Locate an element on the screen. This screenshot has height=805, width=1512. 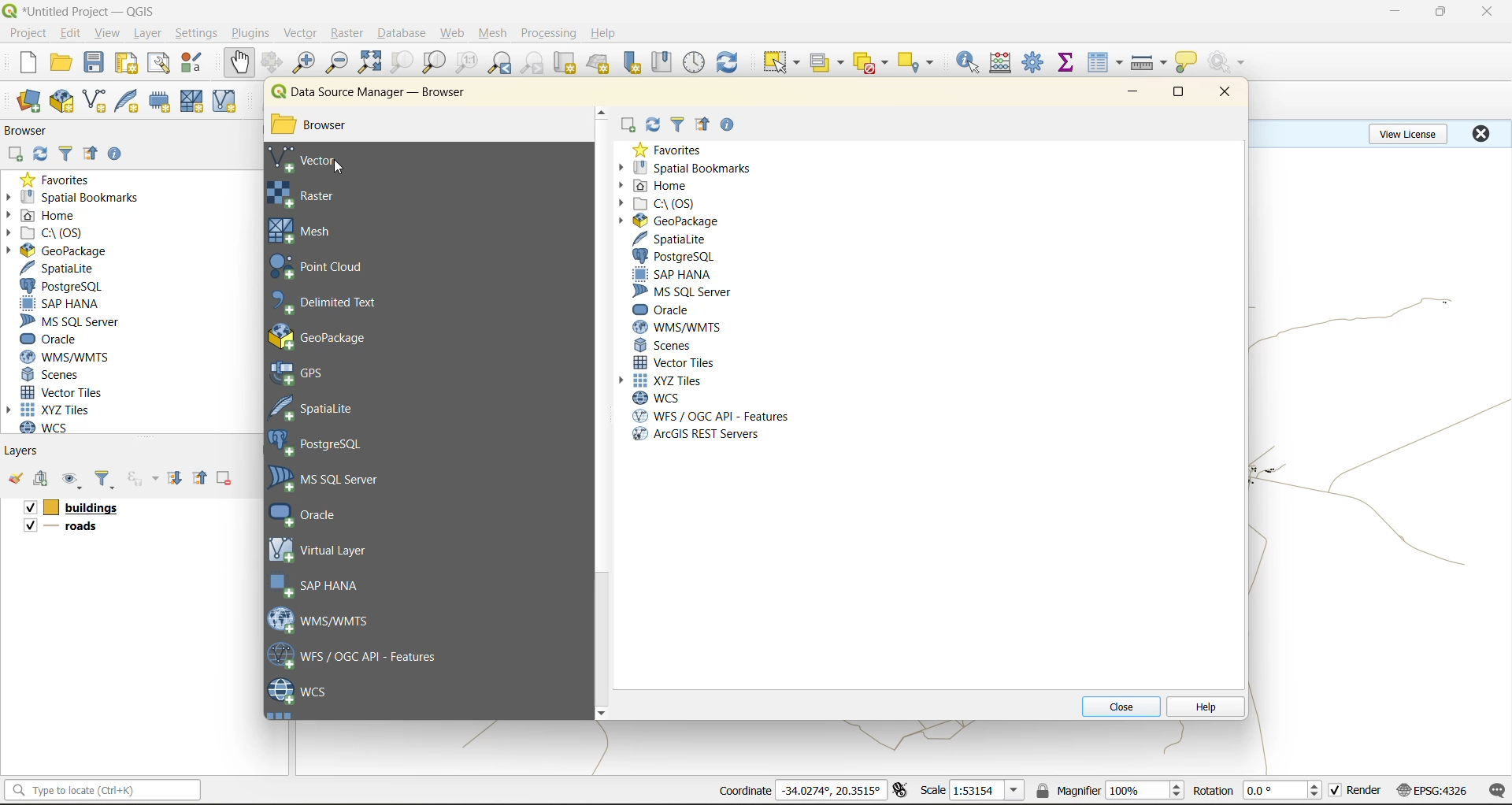
postgresql is located at coordinates (61, 287).